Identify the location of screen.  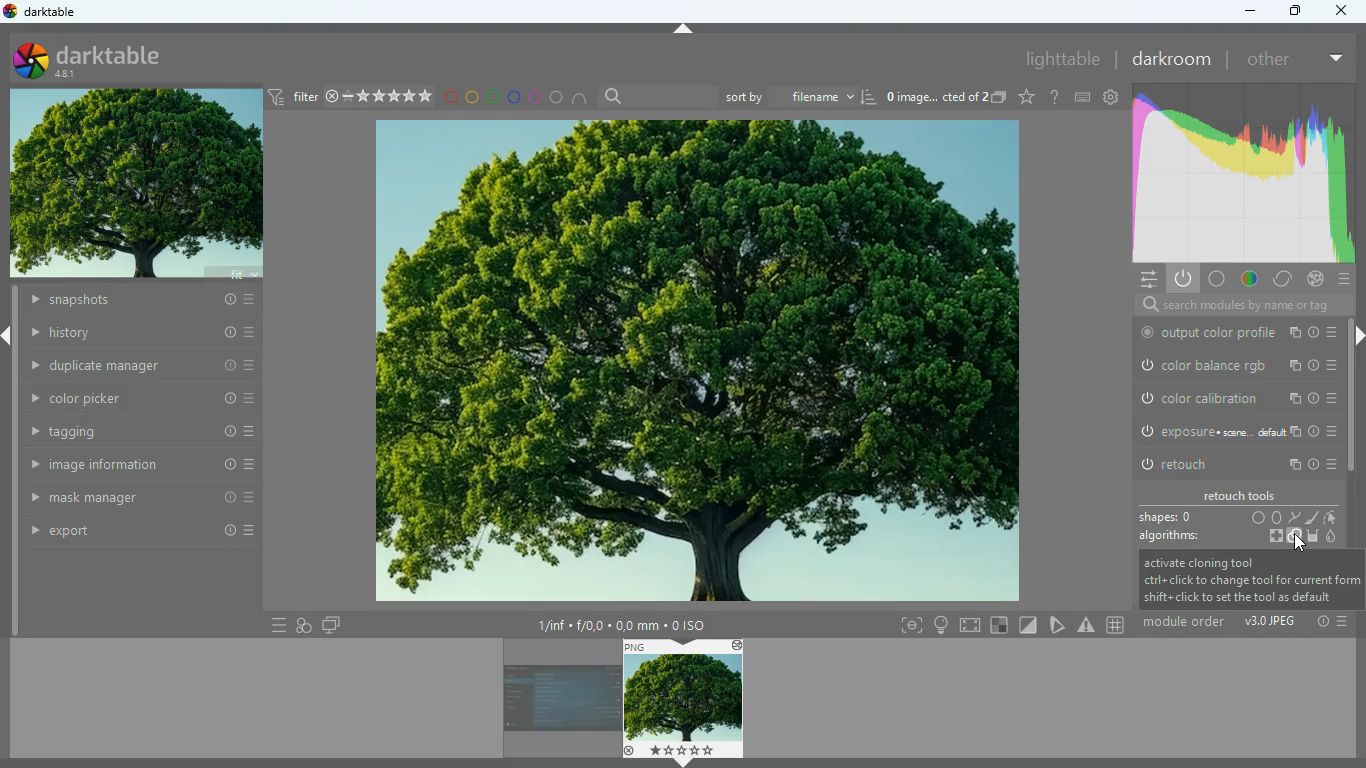
(332, 625).